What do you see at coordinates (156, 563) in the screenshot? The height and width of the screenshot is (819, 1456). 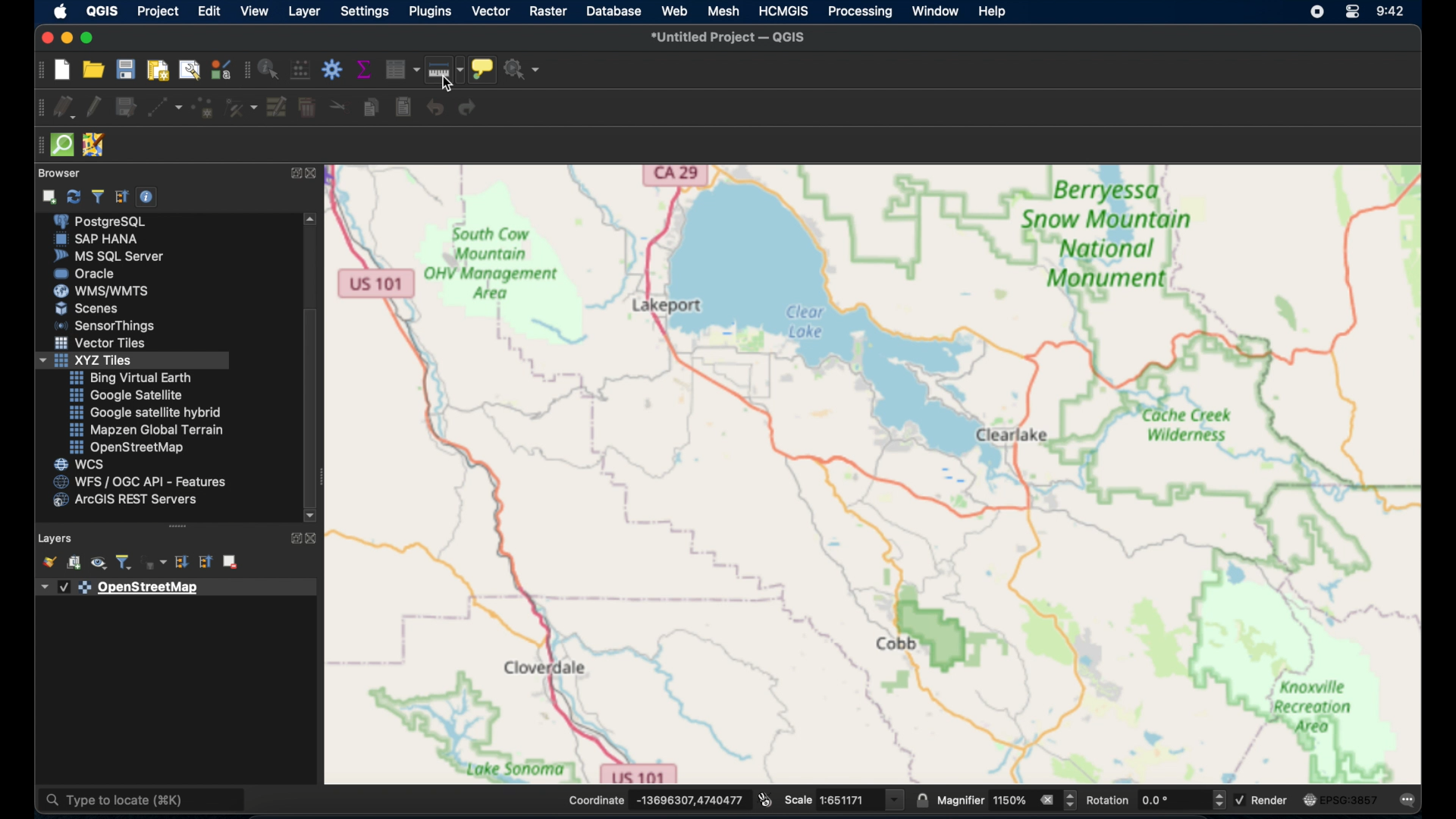 I see `filter legend by expression` at bounding box center [156, 563].